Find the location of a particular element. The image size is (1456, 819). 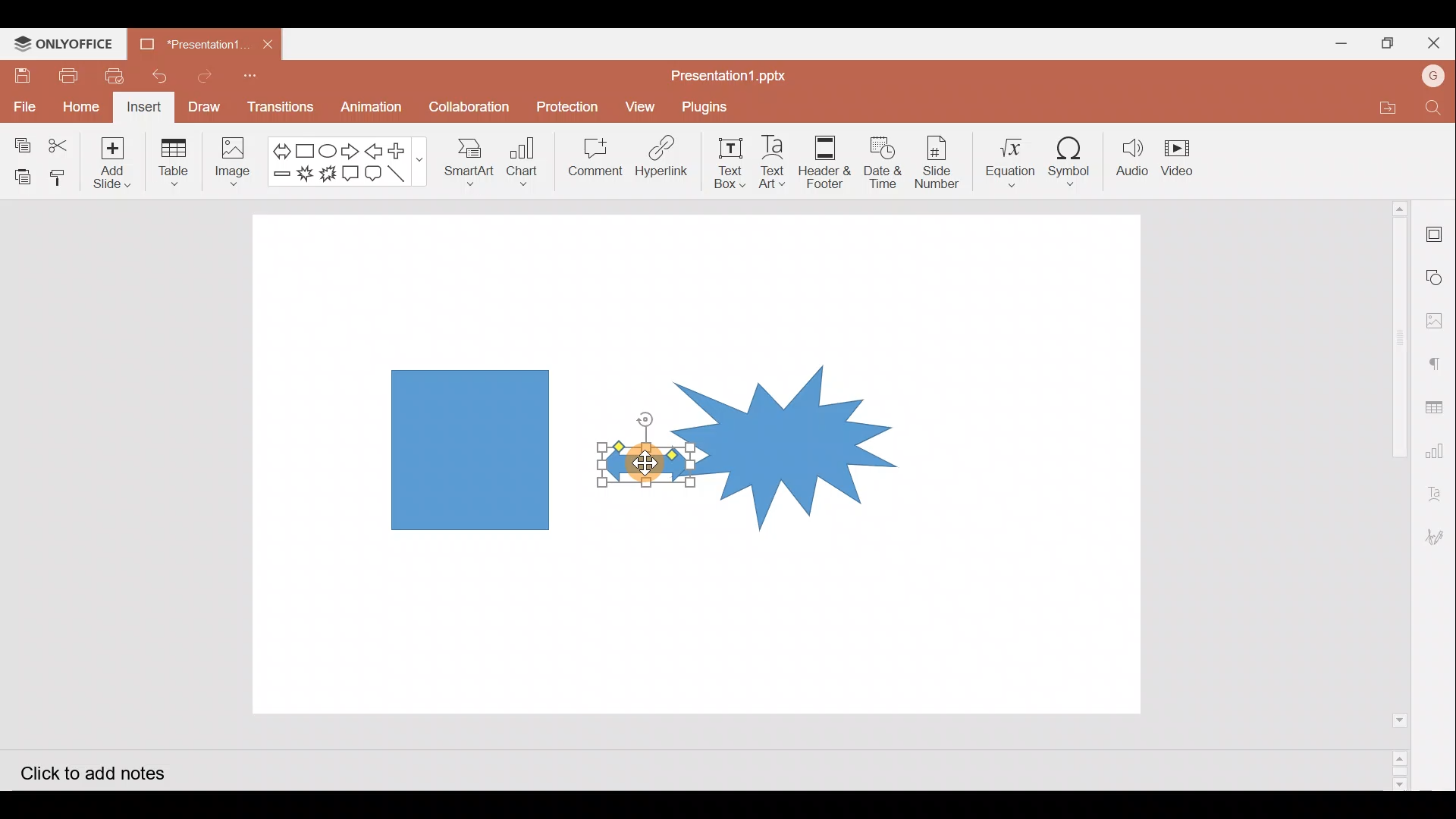

Chart settings is located at coordinates (1439, 449).